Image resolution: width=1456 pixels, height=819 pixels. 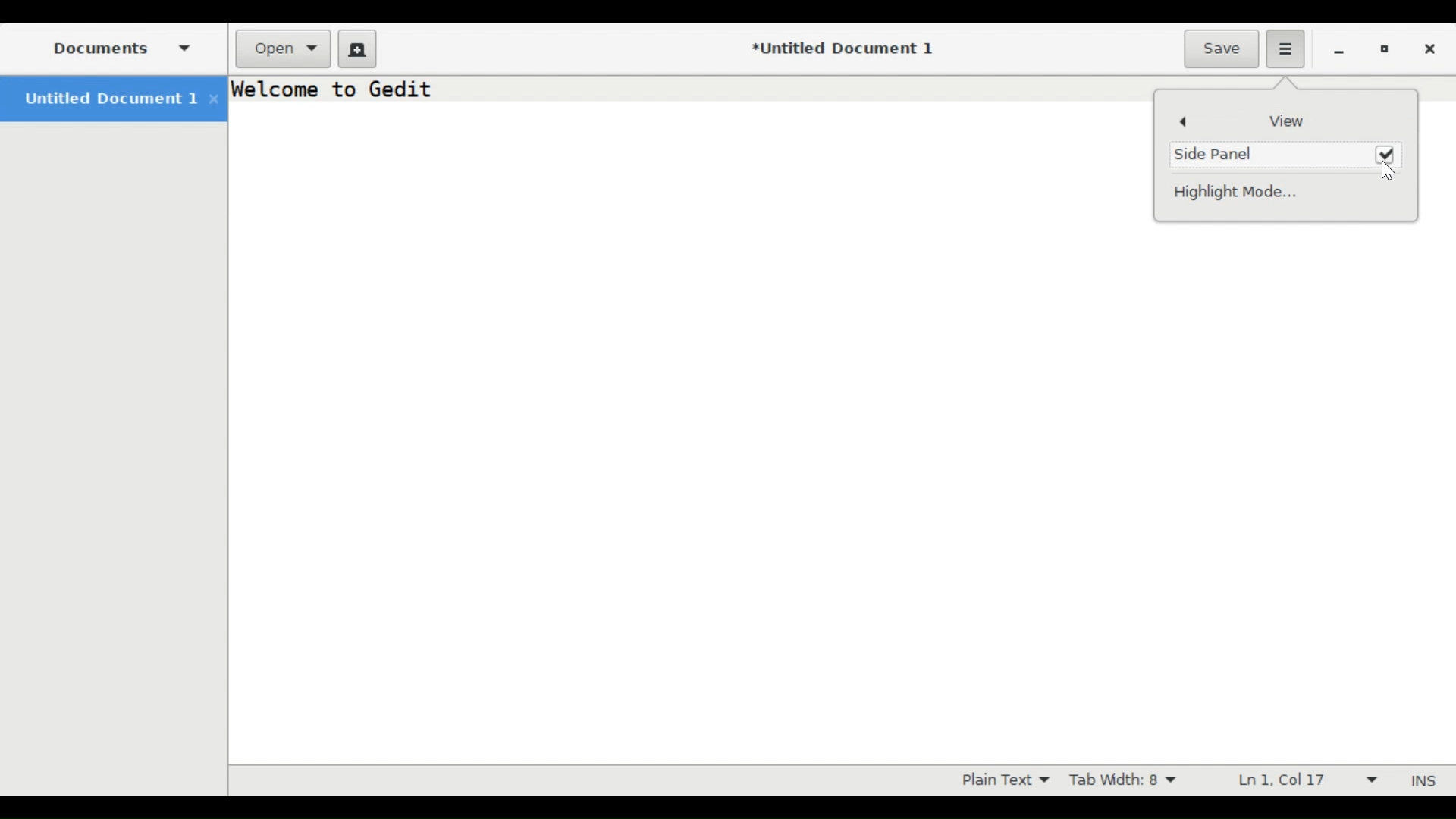 I want to click on Side Panel dropdown menu, so click(x=116, y=47).